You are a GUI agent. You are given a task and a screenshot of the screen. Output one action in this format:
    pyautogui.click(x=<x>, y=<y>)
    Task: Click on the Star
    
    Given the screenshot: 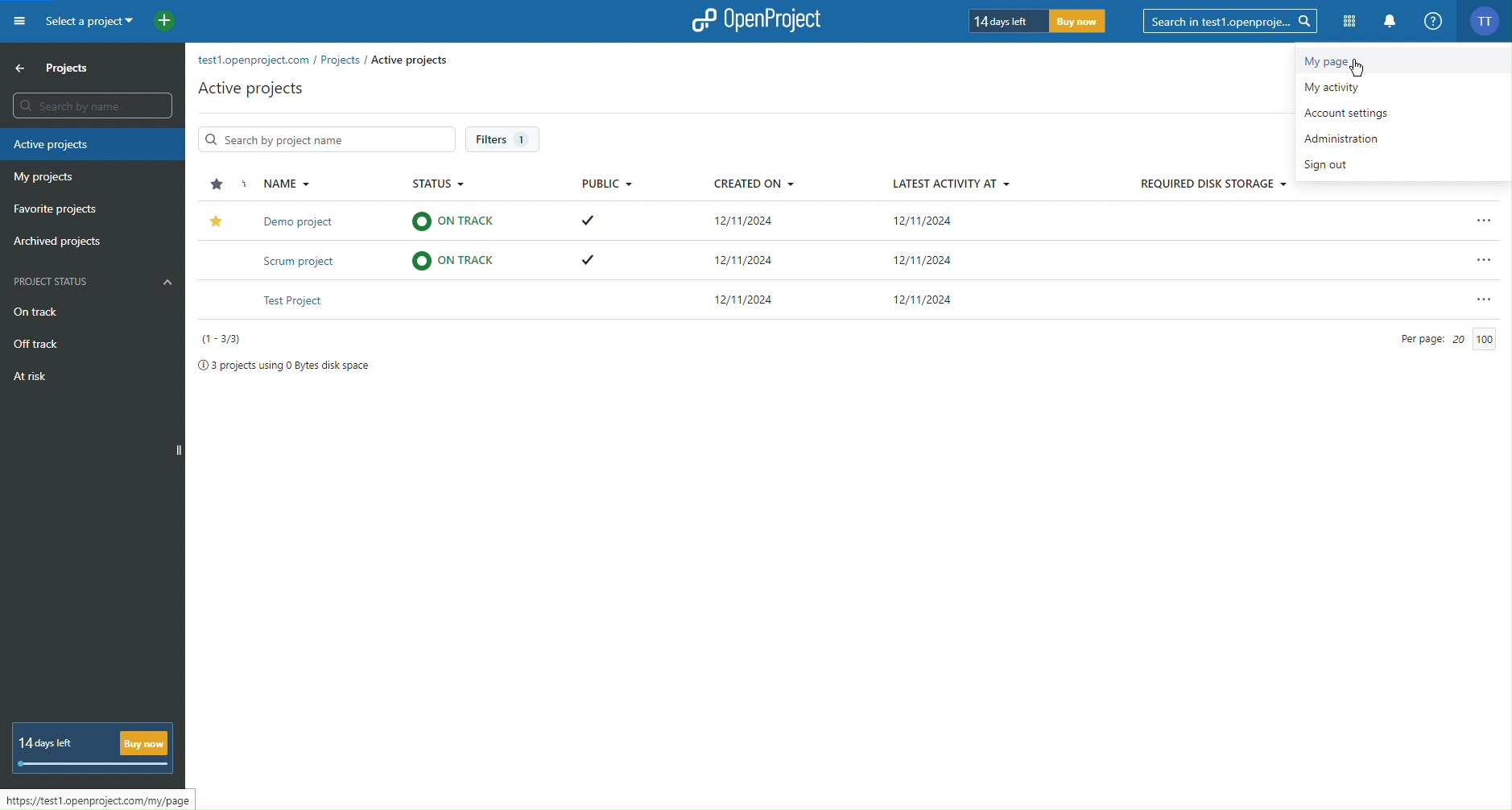 What is the action you would take?
    pyautogui.click(x=216, y=219)
    